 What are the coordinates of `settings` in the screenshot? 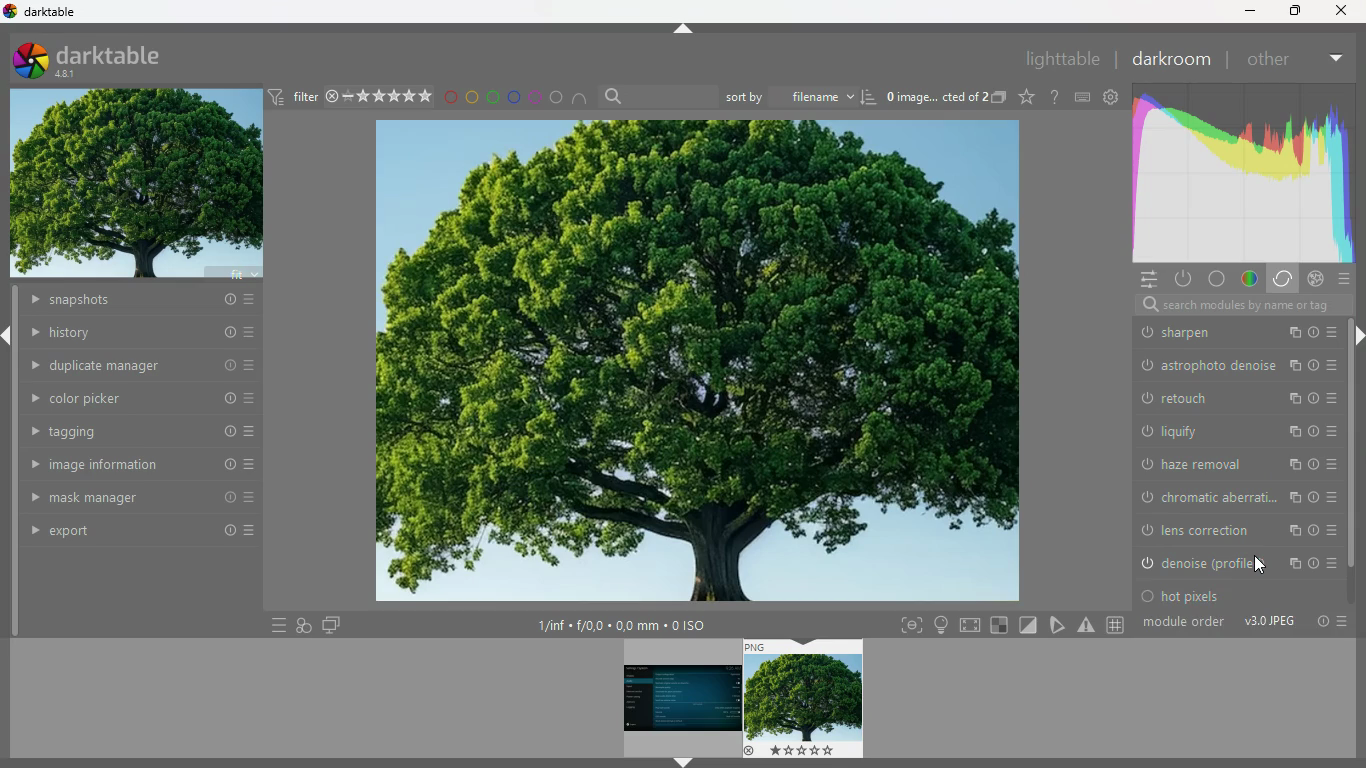 It's located at (1147, 279).